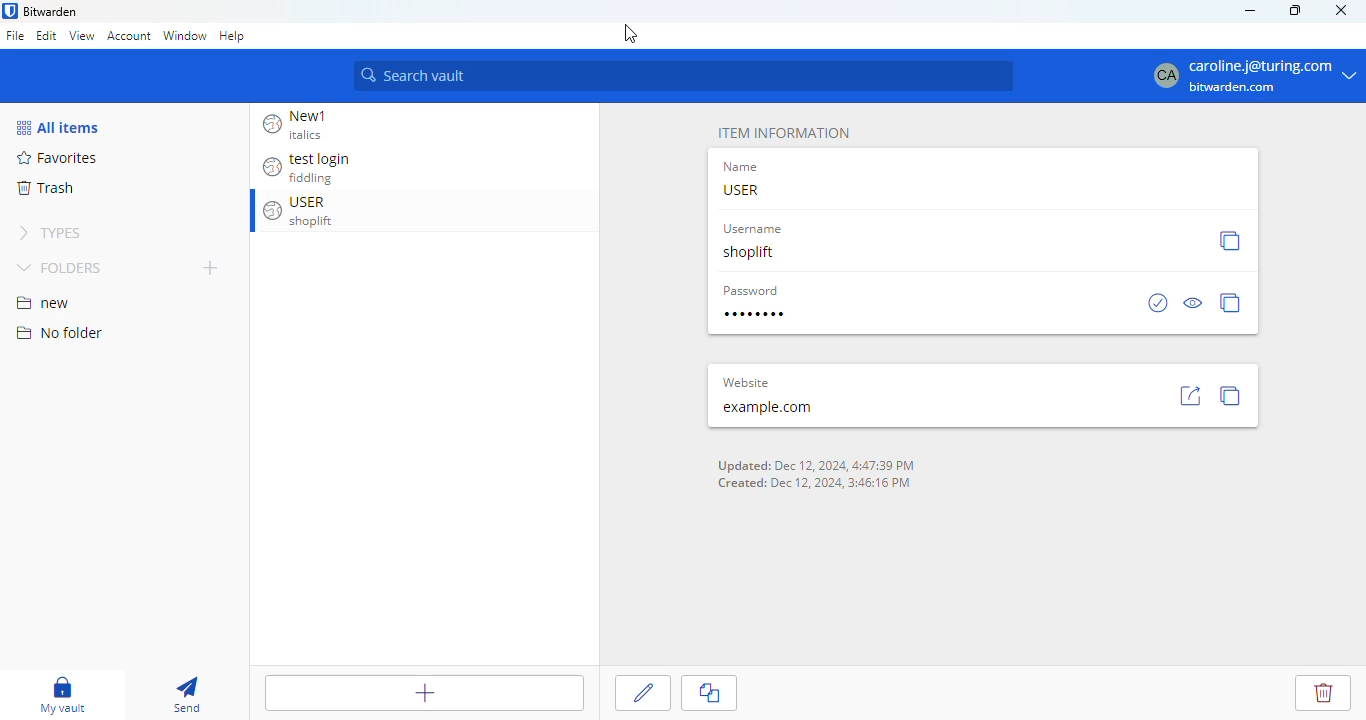 The image size is (1366, 720). What do you see at coordinates (743, 166) in the screenshot?
I see `Name` at bounding box center [743, 166].